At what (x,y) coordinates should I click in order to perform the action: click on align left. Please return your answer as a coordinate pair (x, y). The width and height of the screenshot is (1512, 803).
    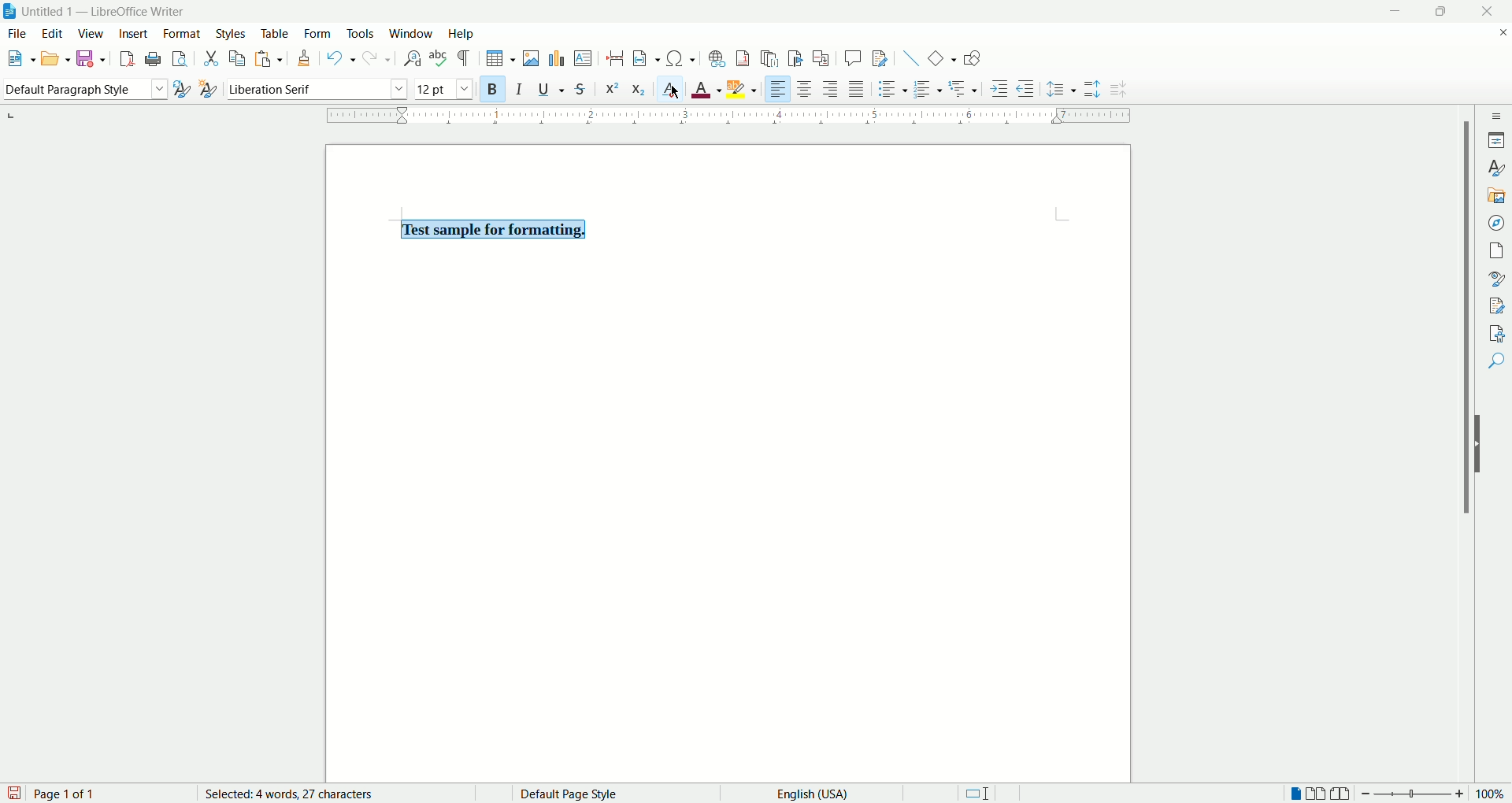
    Looking at the image, I should click on (779, 88).